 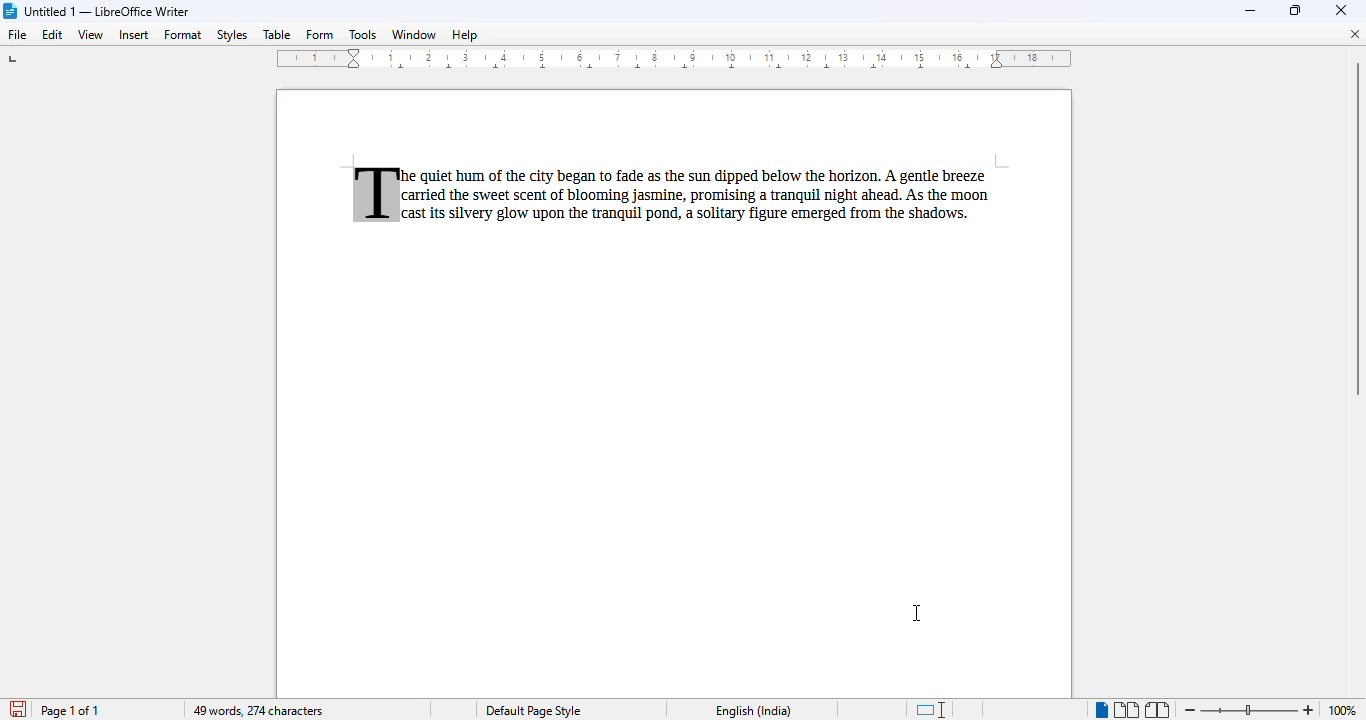 I want to click on single-page view, so click(x=1100, y=710).